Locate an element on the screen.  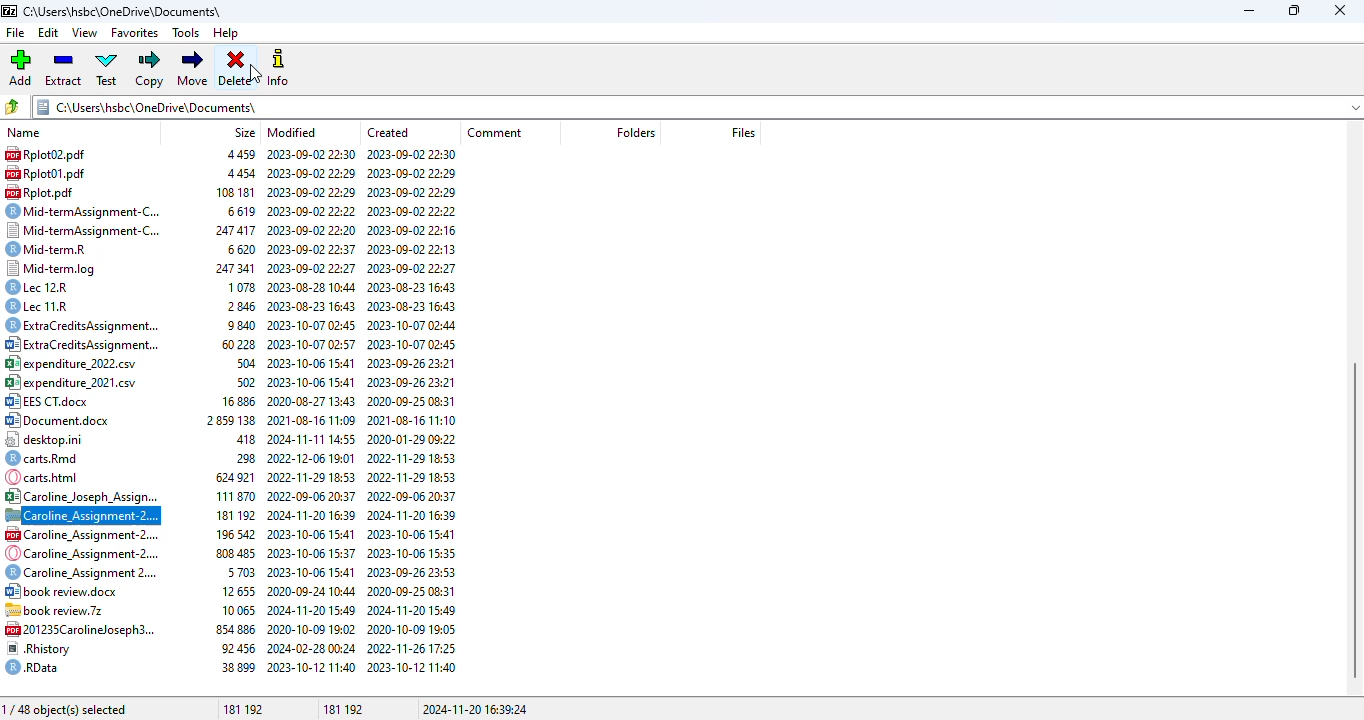
38899 is located at coordinates (237, 666).